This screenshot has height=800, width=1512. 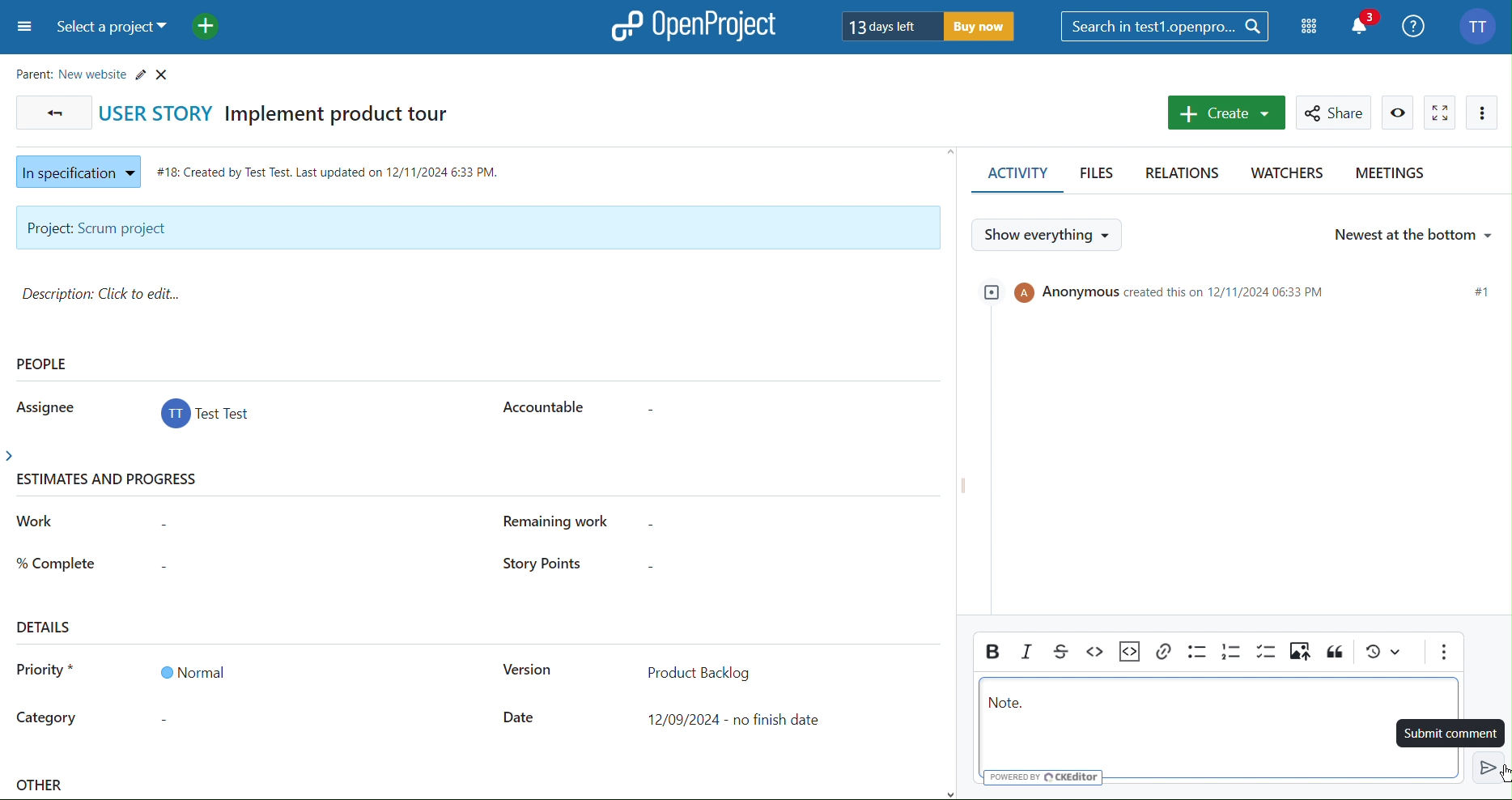 What do you see at coordinates (51, 112) in the screenshot?
I see `Back` at bounding box center [51, 112].